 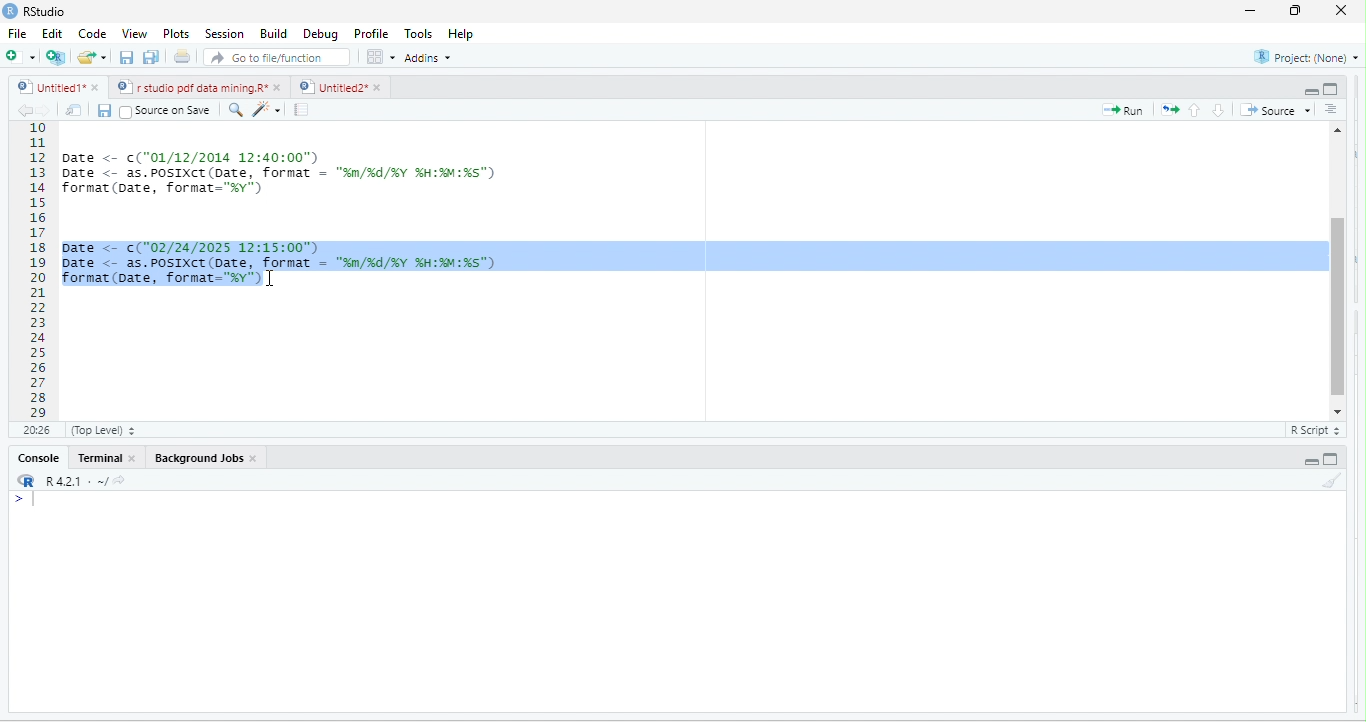 I want to click on Tools, so click(x=416, y=34).